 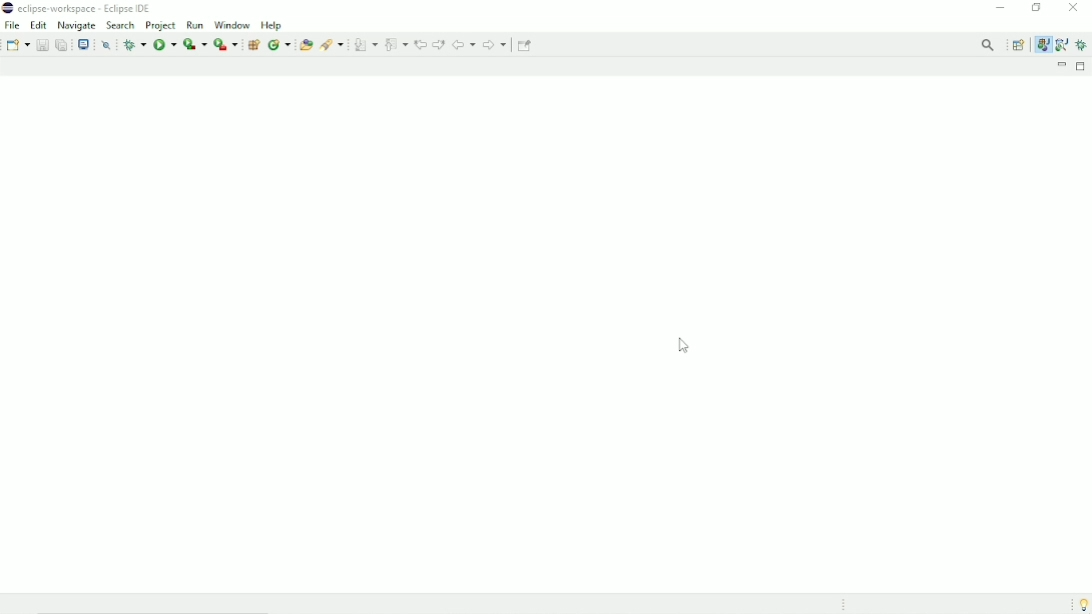 What do you see at coordinates (273, 25) in the screenshot?
I see `Help` at bounding box center [273, 25].